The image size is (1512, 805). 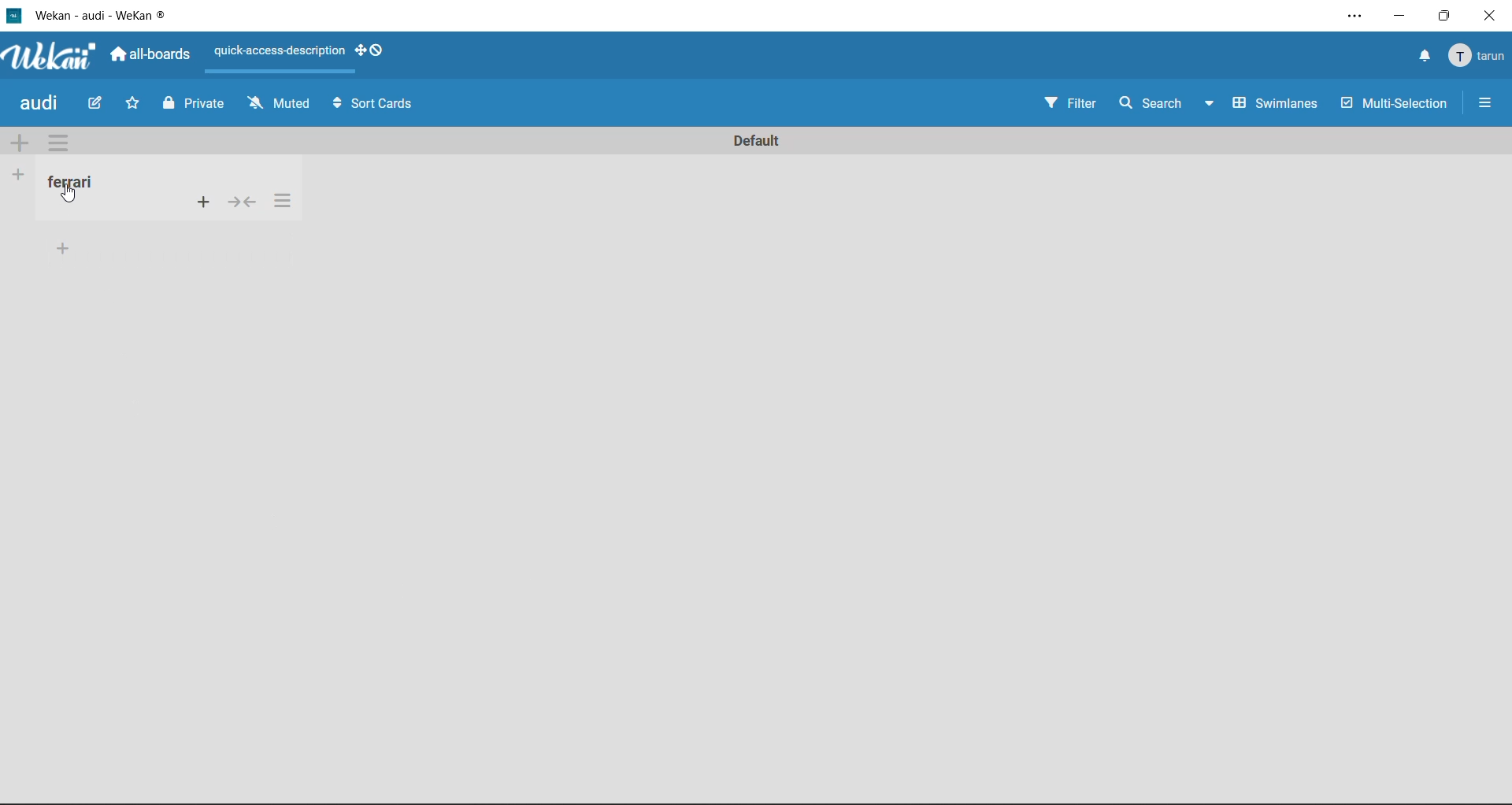 I want to click on Down-arrow, so click(x=1208, y=107).